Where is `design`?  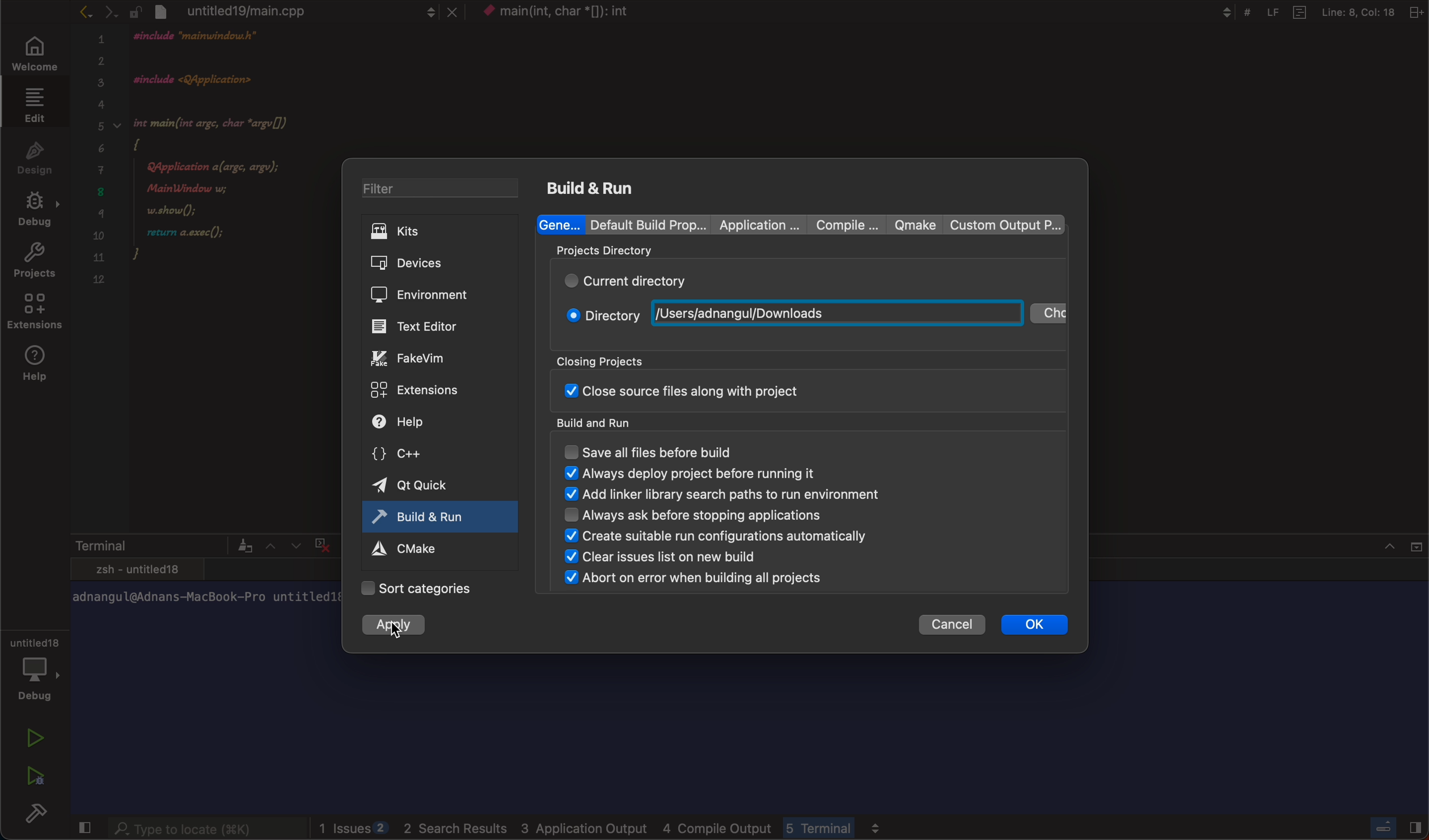 design is located at coordinates (36, 155).